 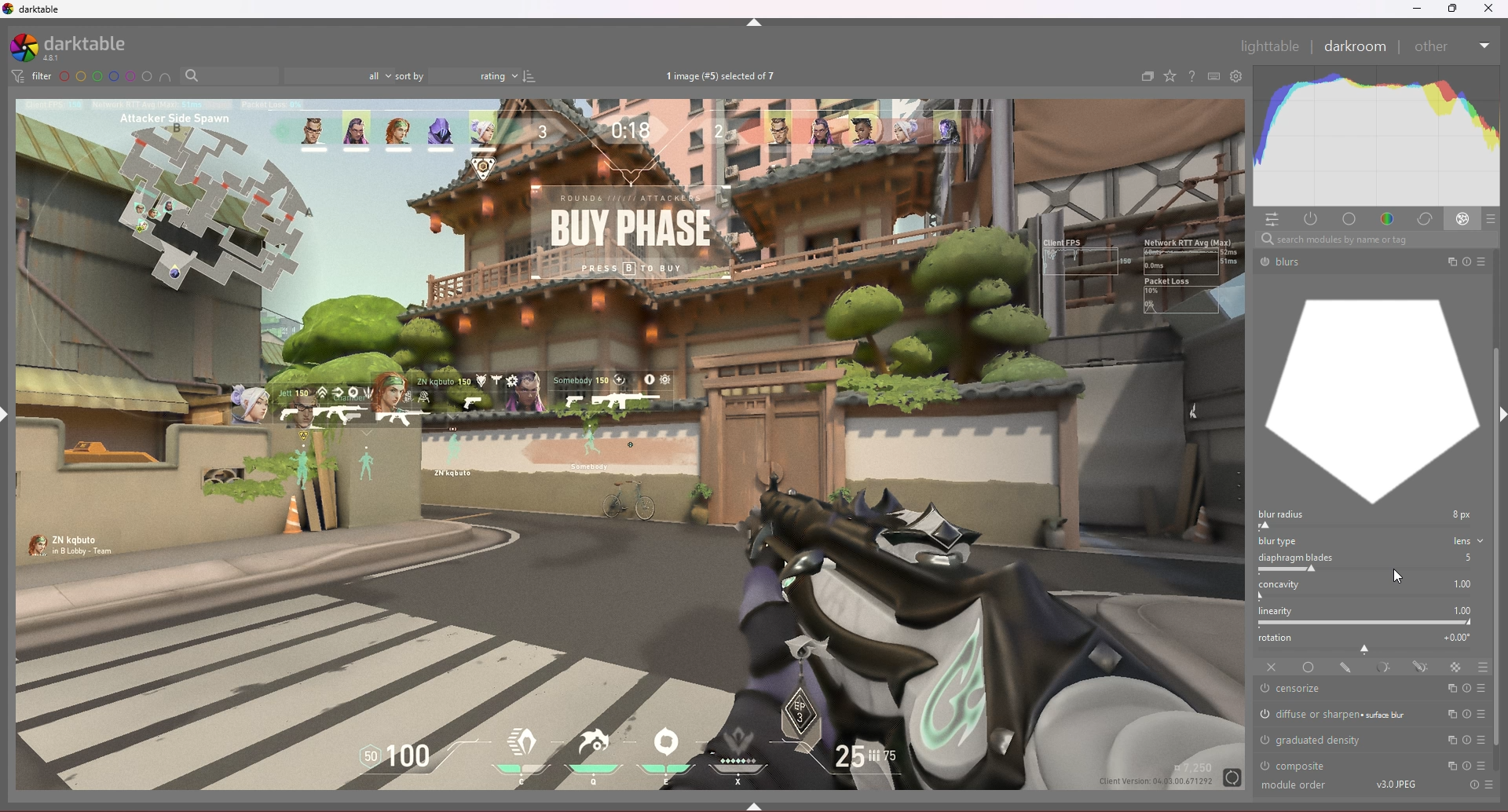 What do you see at coordinates (1271, 220) in the screenshot?
I see `quick access panel` at bounding box center [1271, 220].